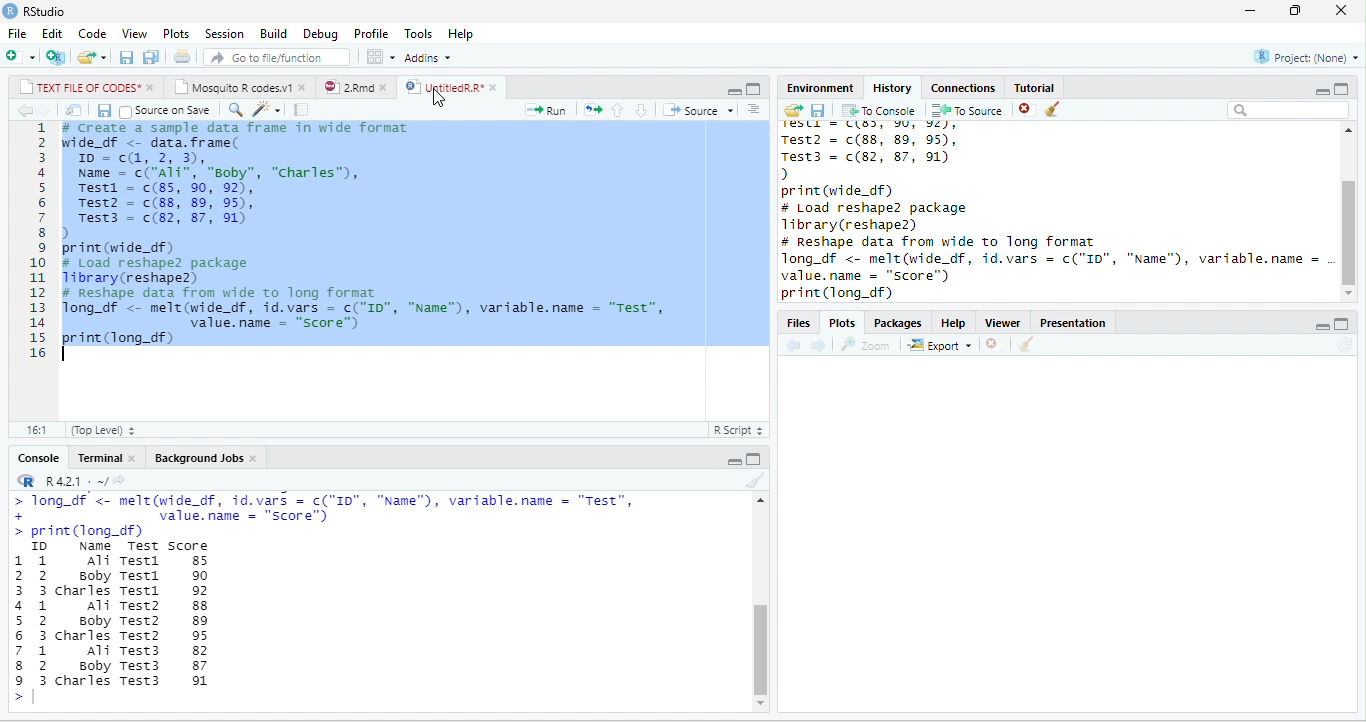  I want to click on Source, so click(698, 110).